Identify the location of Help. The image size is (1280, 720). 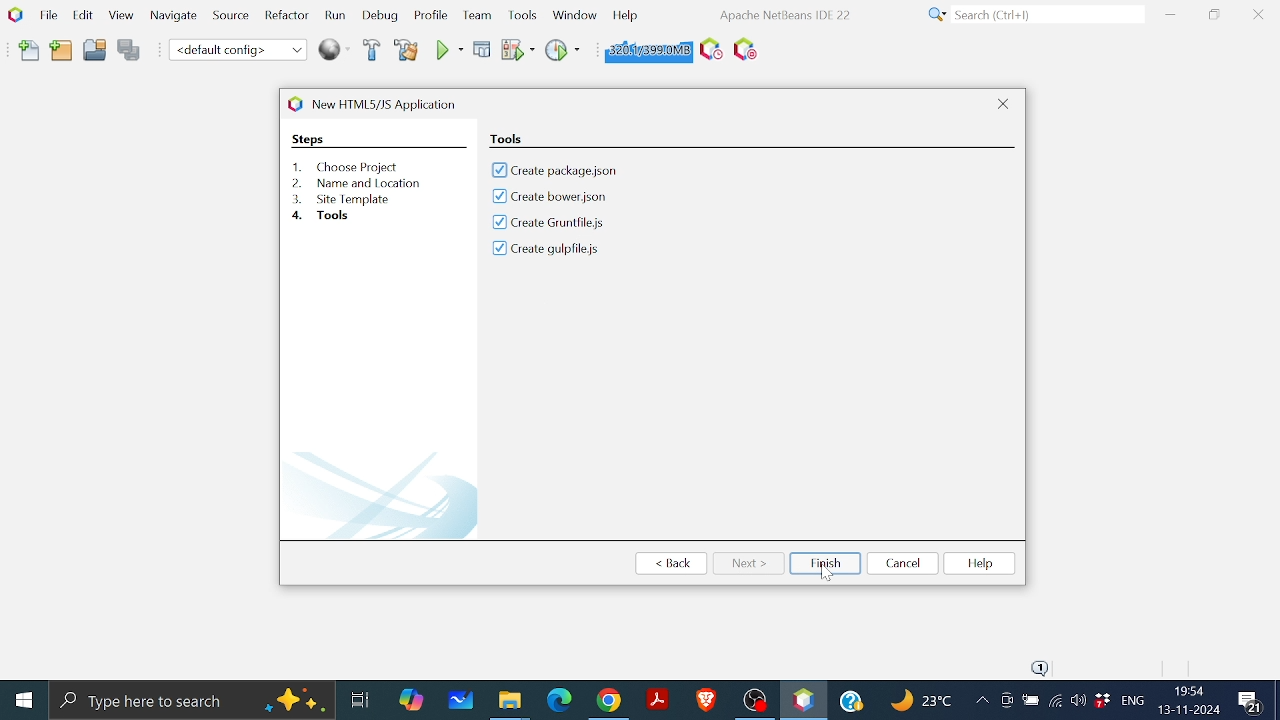
(625, 14).